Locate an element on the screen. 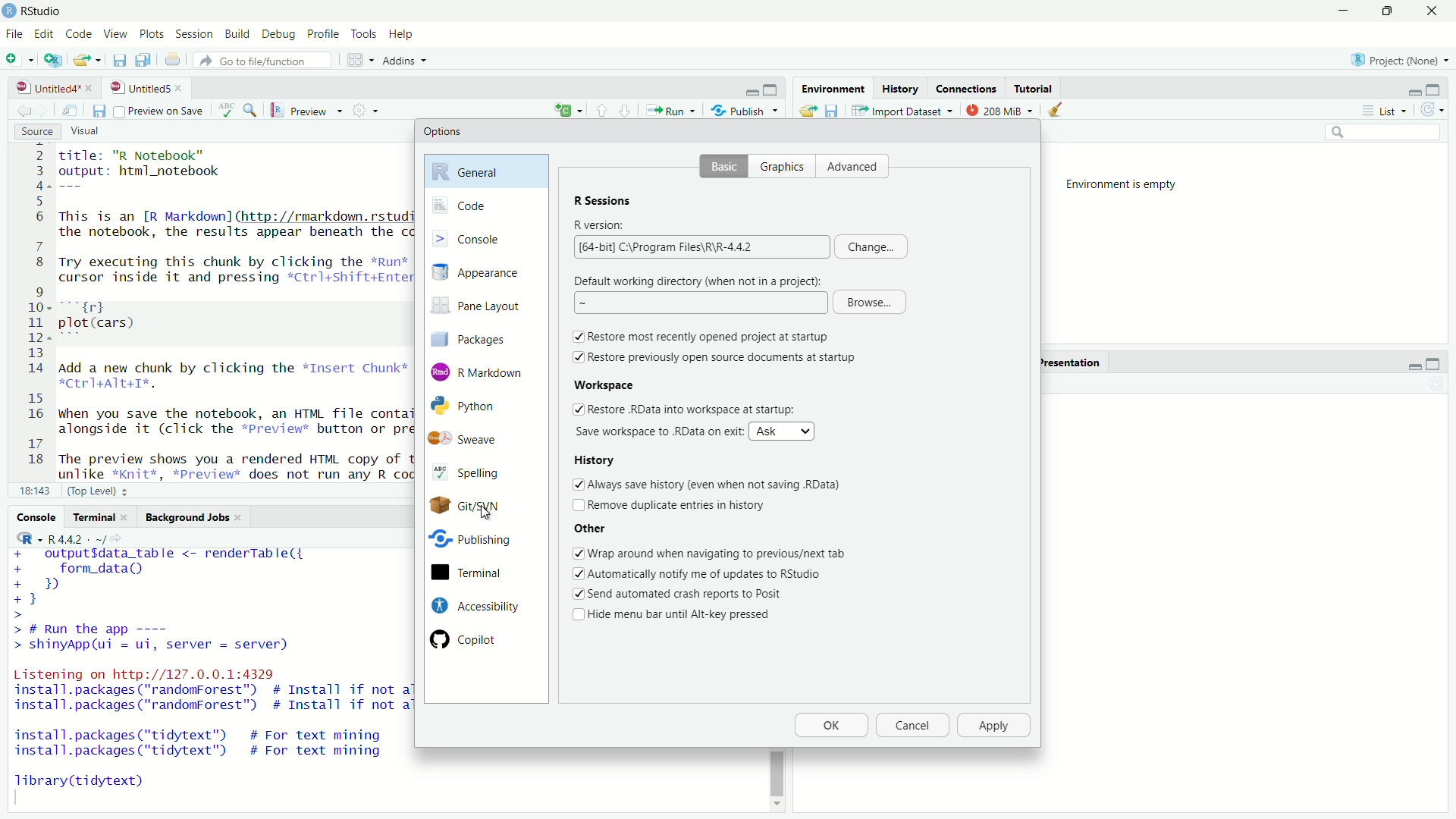 The width and height of the screenshot is (1456, 819). Terminal is located at coordinates (472, 573).